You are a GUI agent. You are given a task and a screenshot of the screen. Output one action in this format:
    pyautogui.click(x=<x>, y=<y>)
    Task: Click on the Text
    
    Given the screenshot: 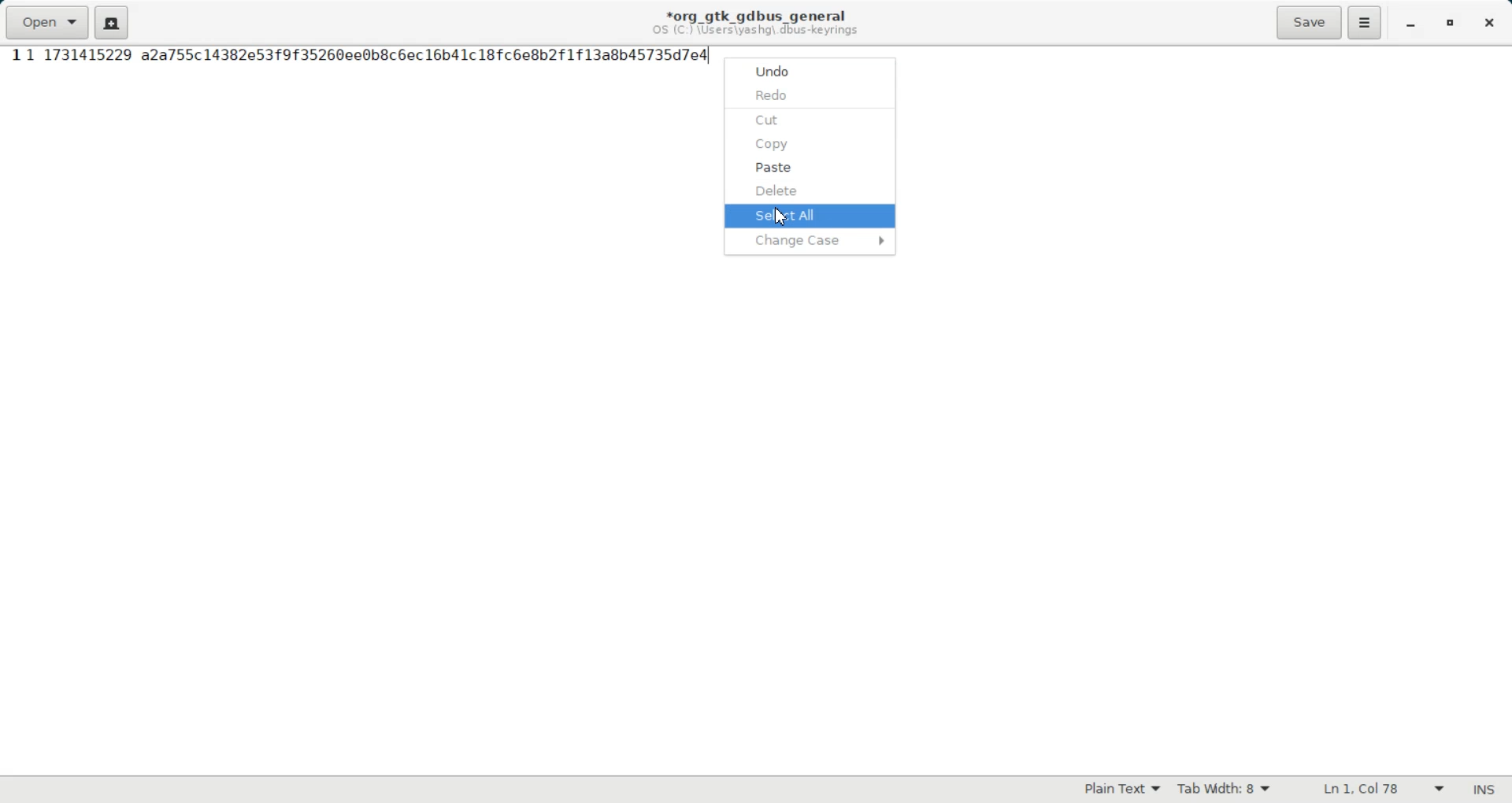 What is the action you would take?
    pyautogui.click(x=365, y=56)
    